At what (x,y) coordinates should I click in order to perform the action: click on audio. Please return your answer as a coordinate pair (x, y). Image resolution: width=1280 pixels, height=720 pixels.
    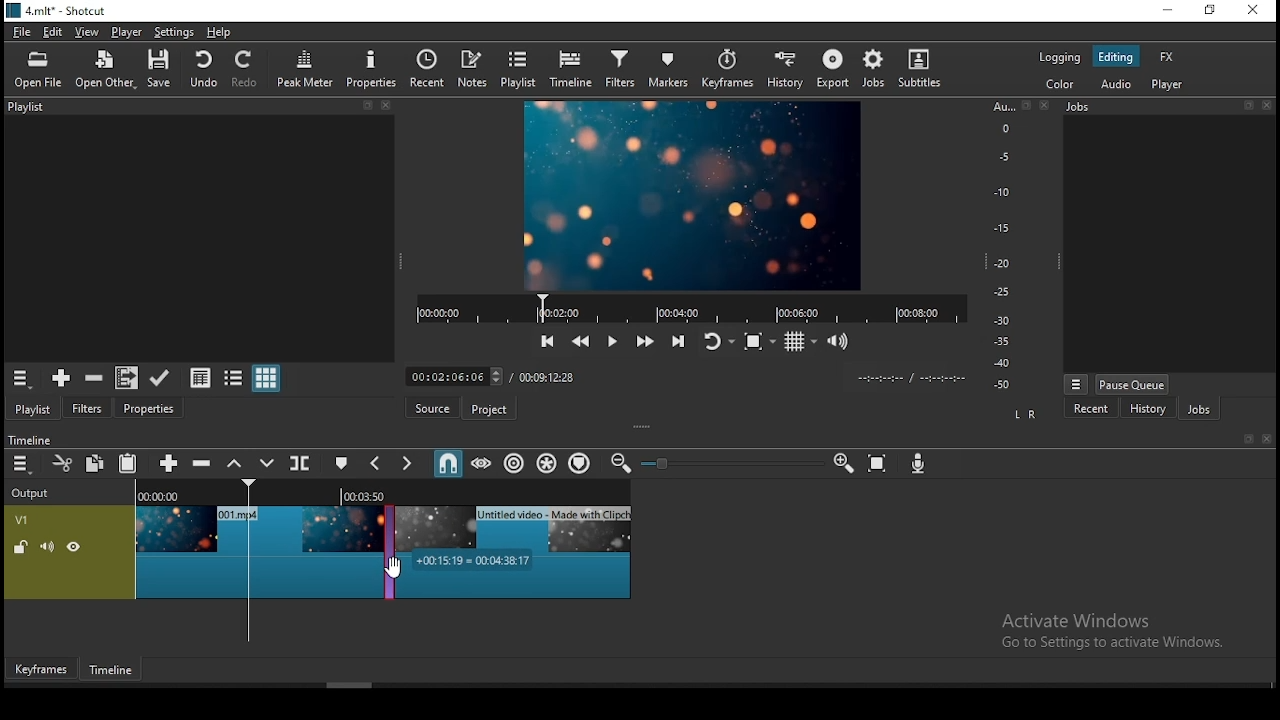
    Looking at the image, I should click on (1120, 84).